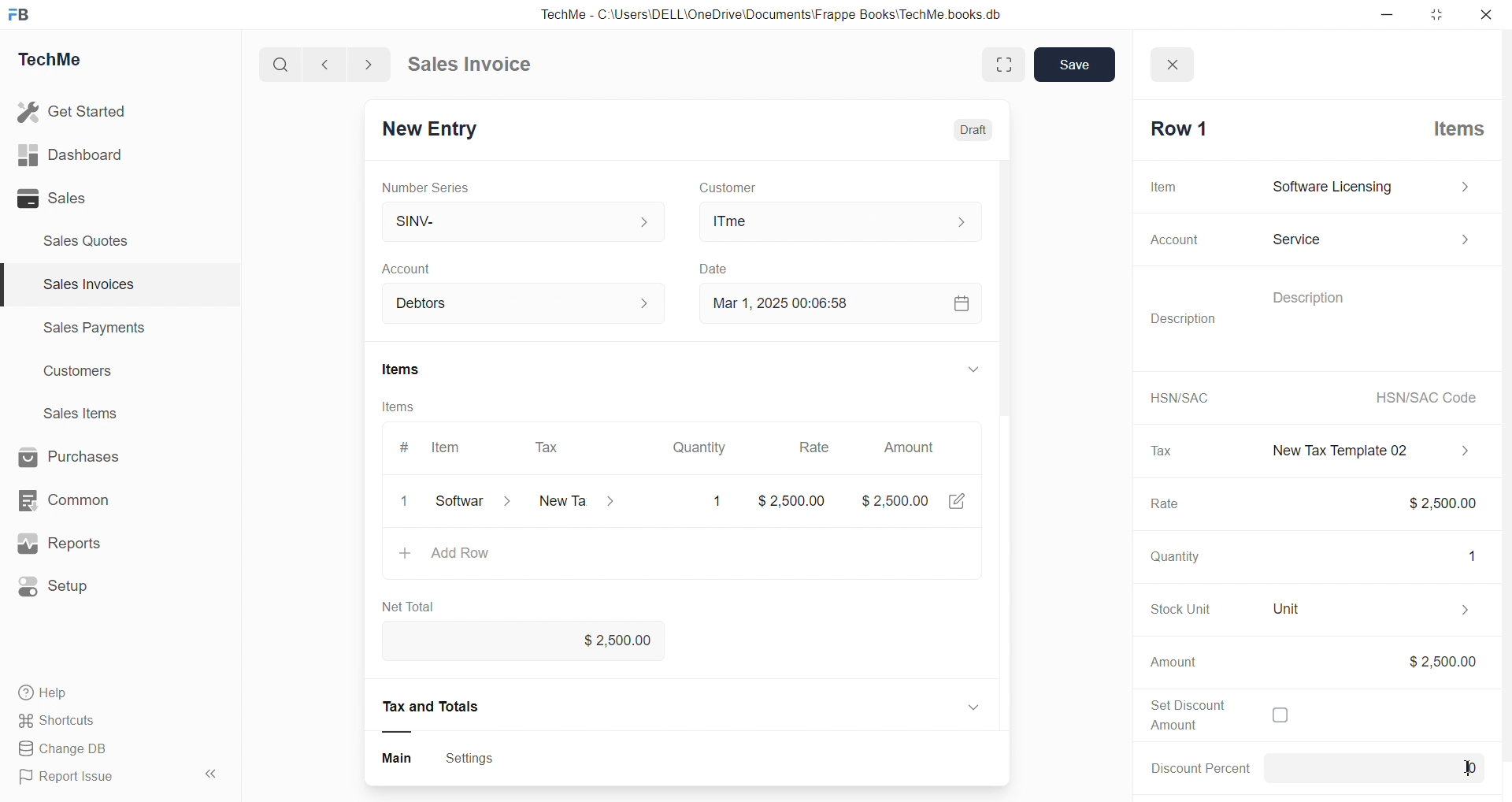 The image size is (1512, 802). What do you see at coordinates (810, 444) in the screenshot?
I see `Rate` at bounding box center [810, 444].